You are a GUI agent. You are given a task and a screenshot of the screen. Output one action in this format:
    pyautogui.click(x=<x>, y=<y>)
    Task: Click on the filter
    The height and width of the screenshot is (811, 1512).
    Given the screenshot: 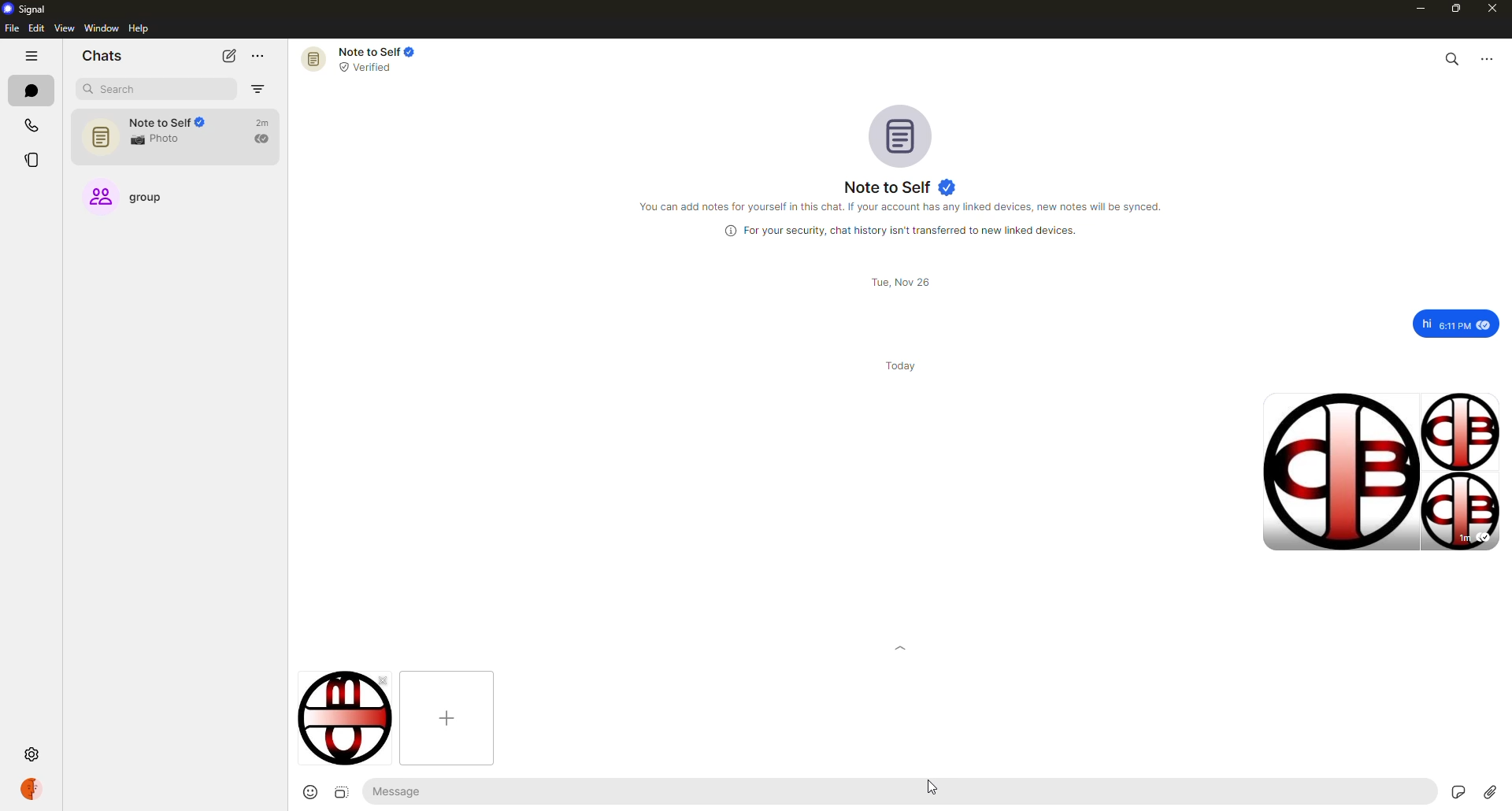 What is the action you would take?
    pyautogui.click(x=258, y=89)
    